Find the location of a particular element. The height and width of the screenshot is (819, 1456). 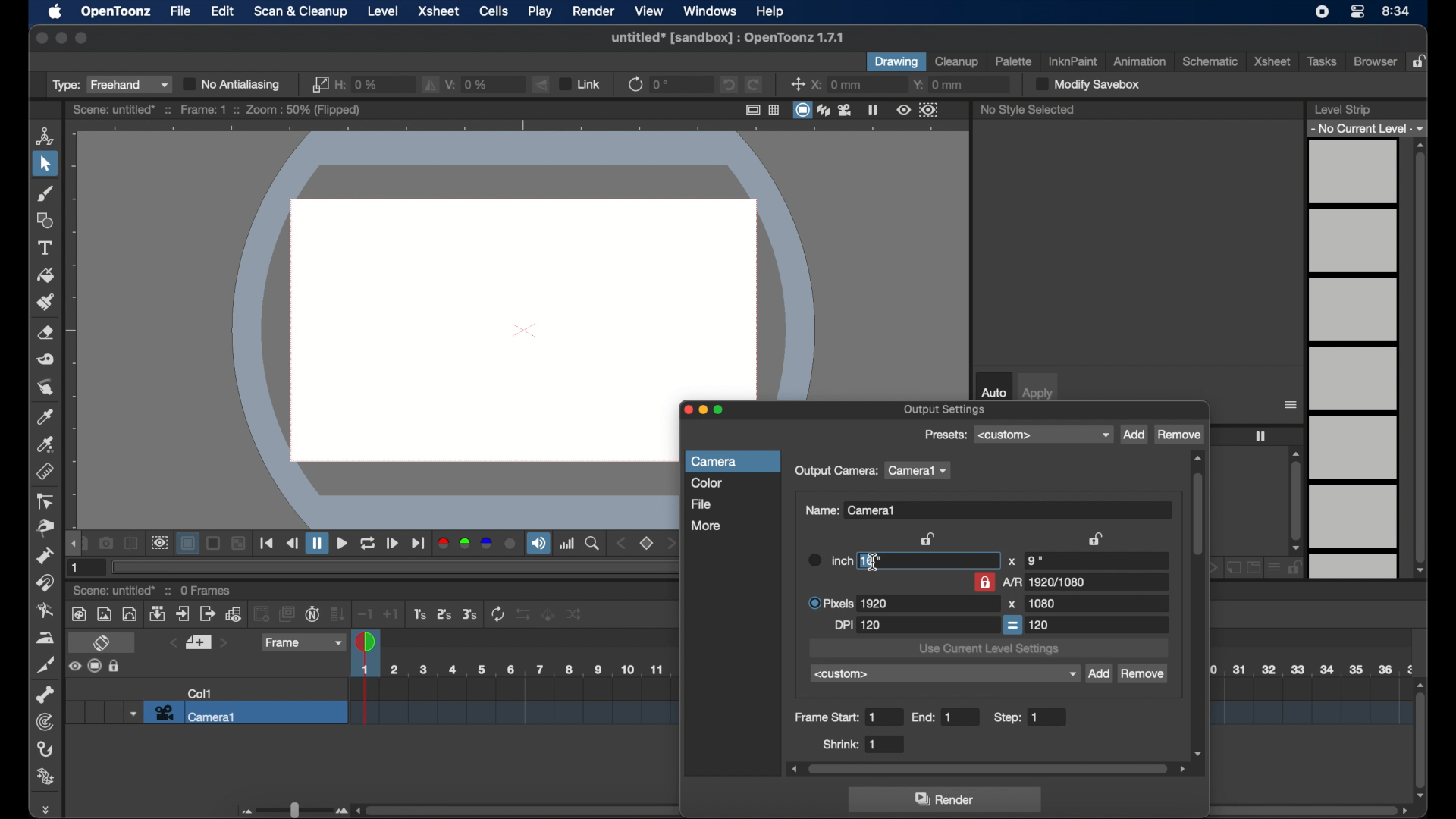

tasks is located at coordinates (1324, 61).